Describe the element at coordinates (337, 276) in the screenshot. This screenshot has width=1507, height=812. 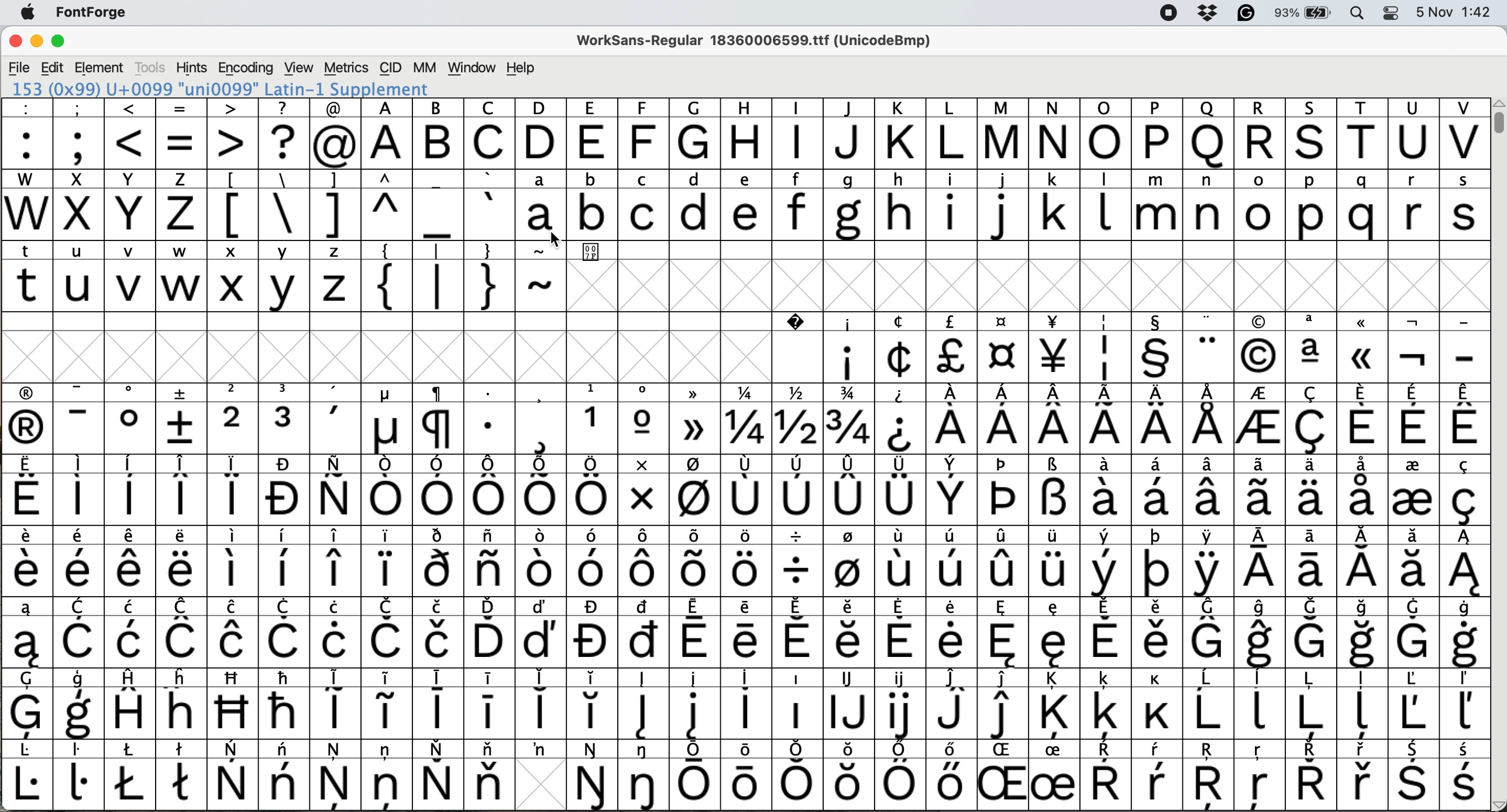
I see `z` at that location.